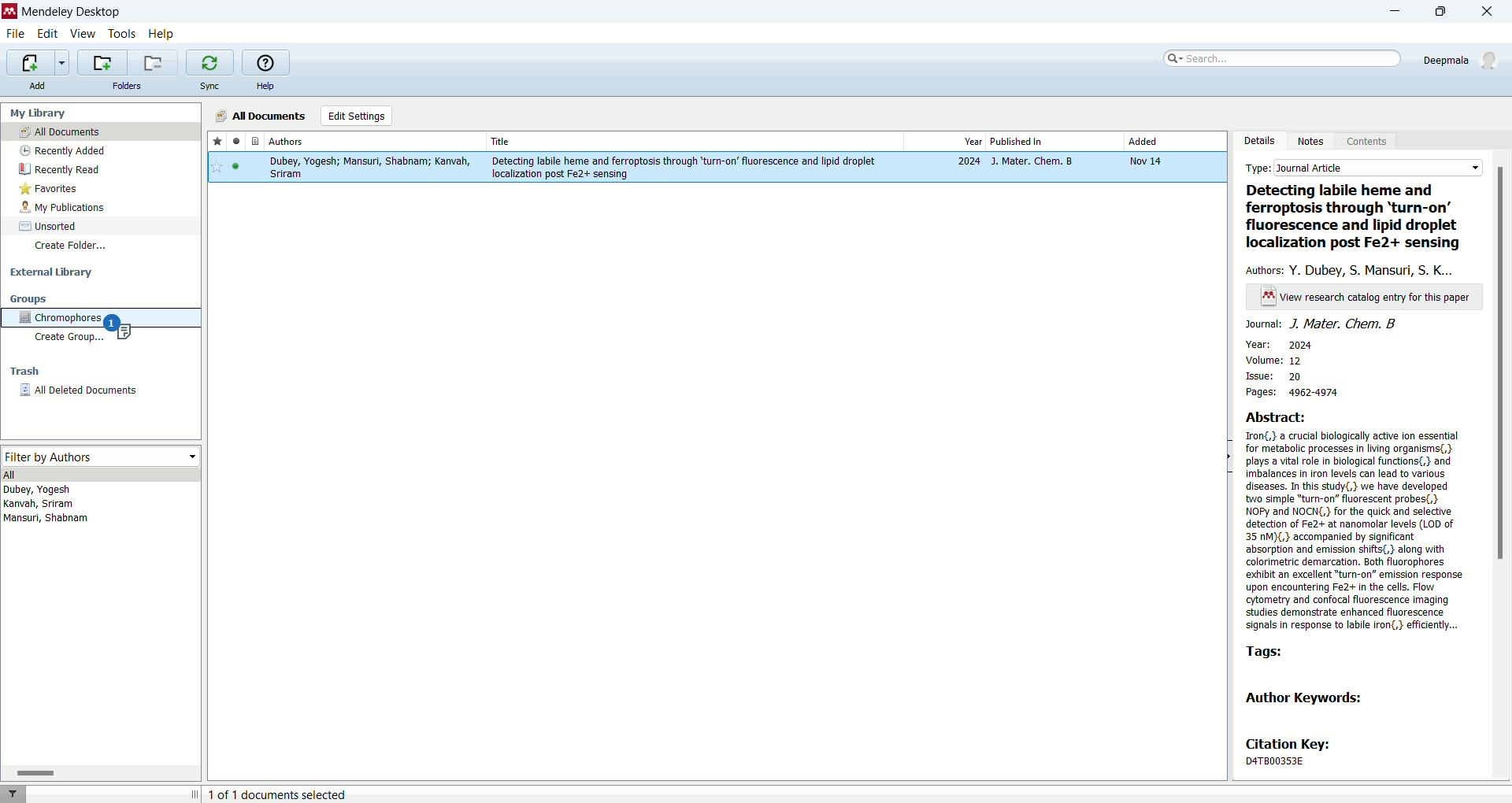 This screenshot has height=803, width=1512. Describe the element at coordinates (209, 63) in the screenshot. I see `synchronize library with mendeley web` at that location.